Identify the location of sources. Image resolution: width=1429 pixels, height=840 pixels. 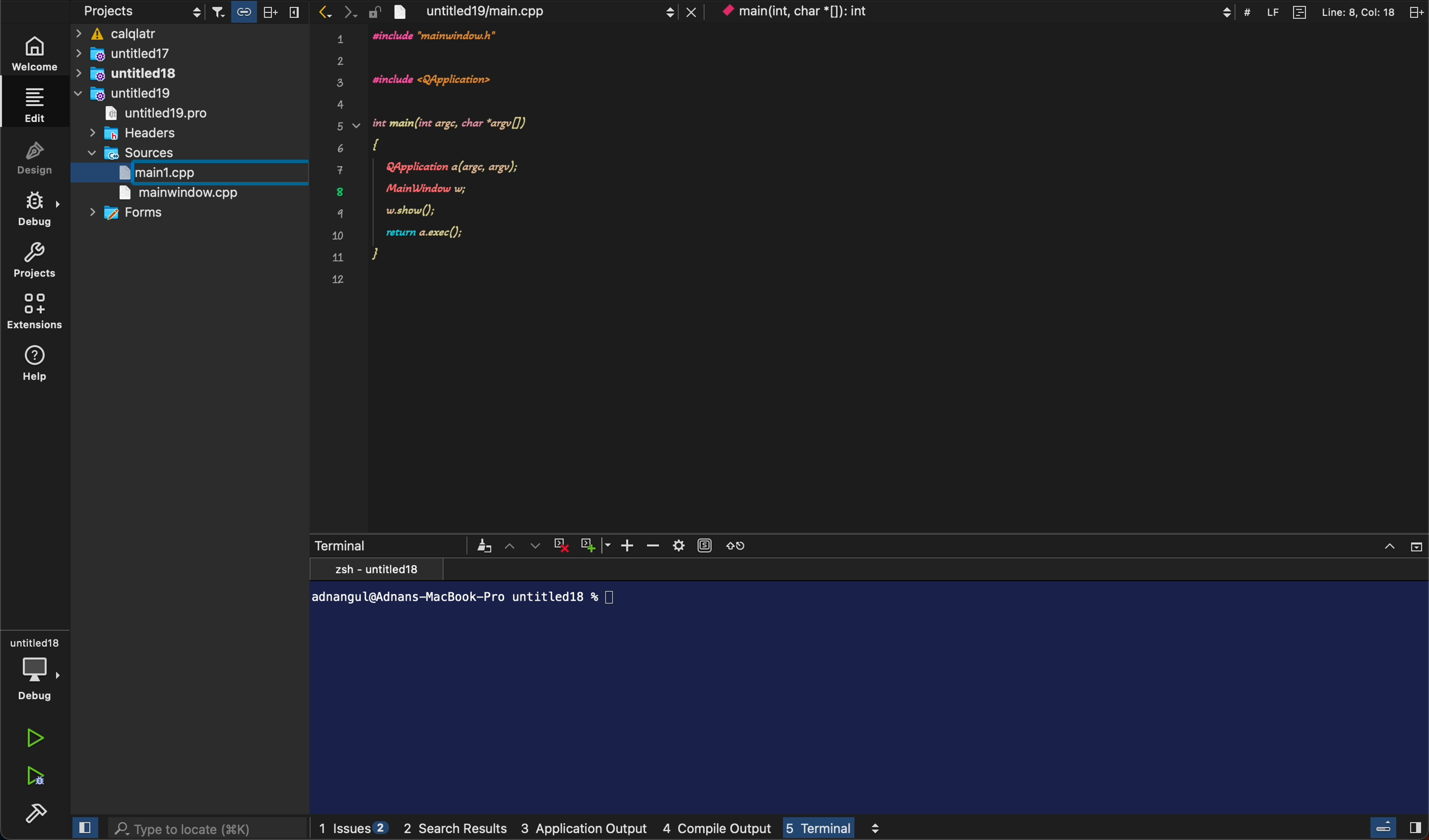
(151, 154).